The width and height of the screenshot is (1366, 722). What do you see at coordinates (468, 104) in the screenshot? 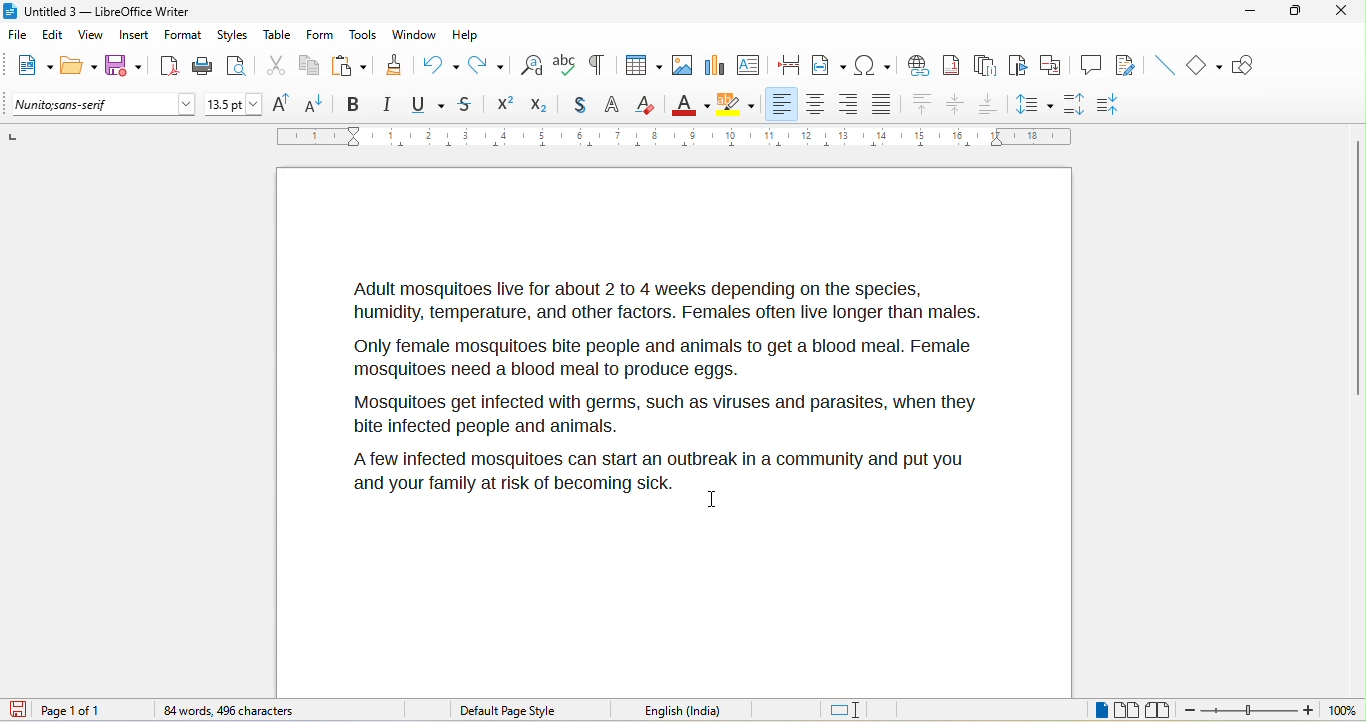
I see `strikethrough` at bounding box center [468, 104].